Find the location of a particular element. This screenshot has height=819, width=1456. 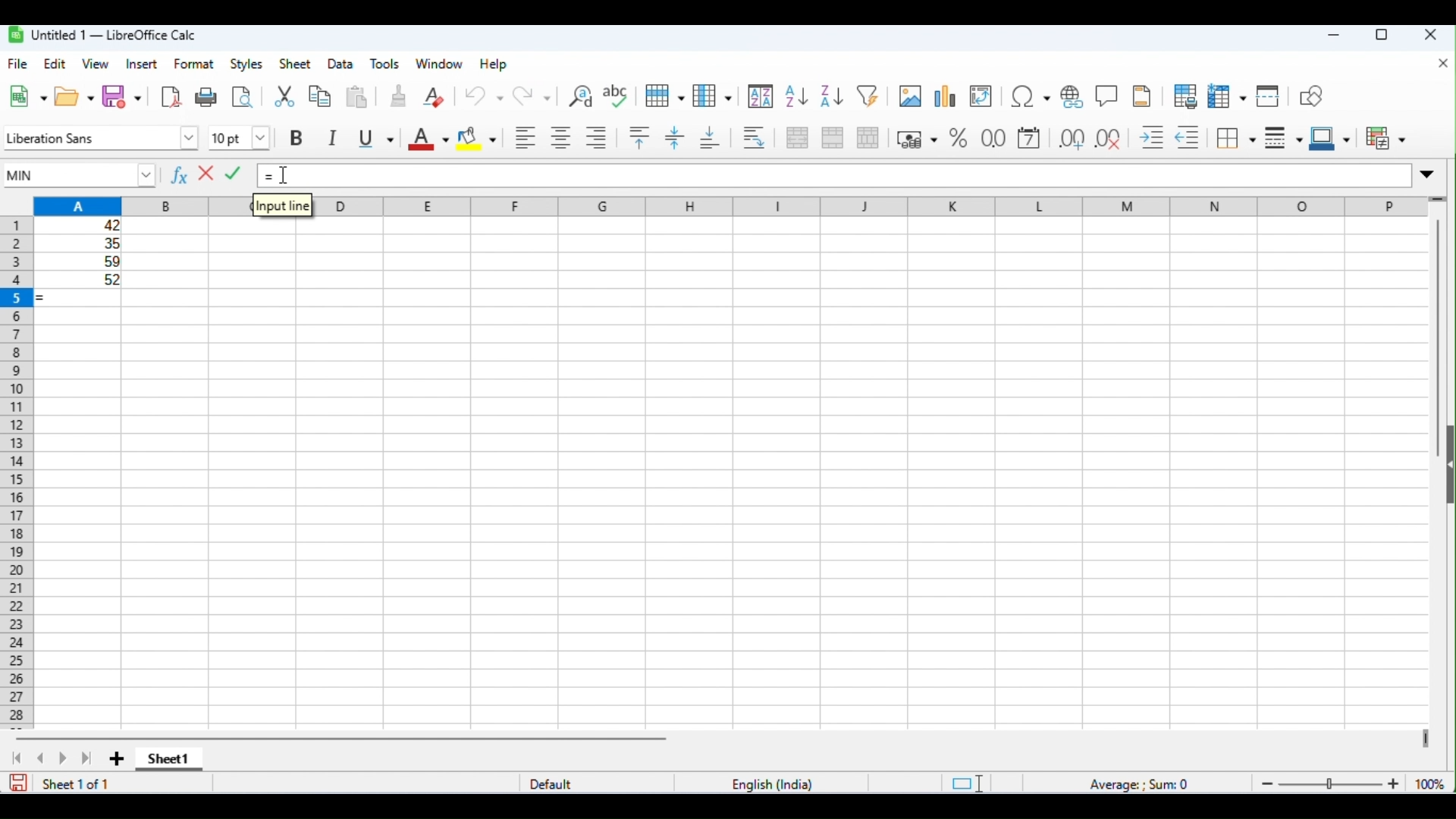

align center is located at coordinates (560, 137).